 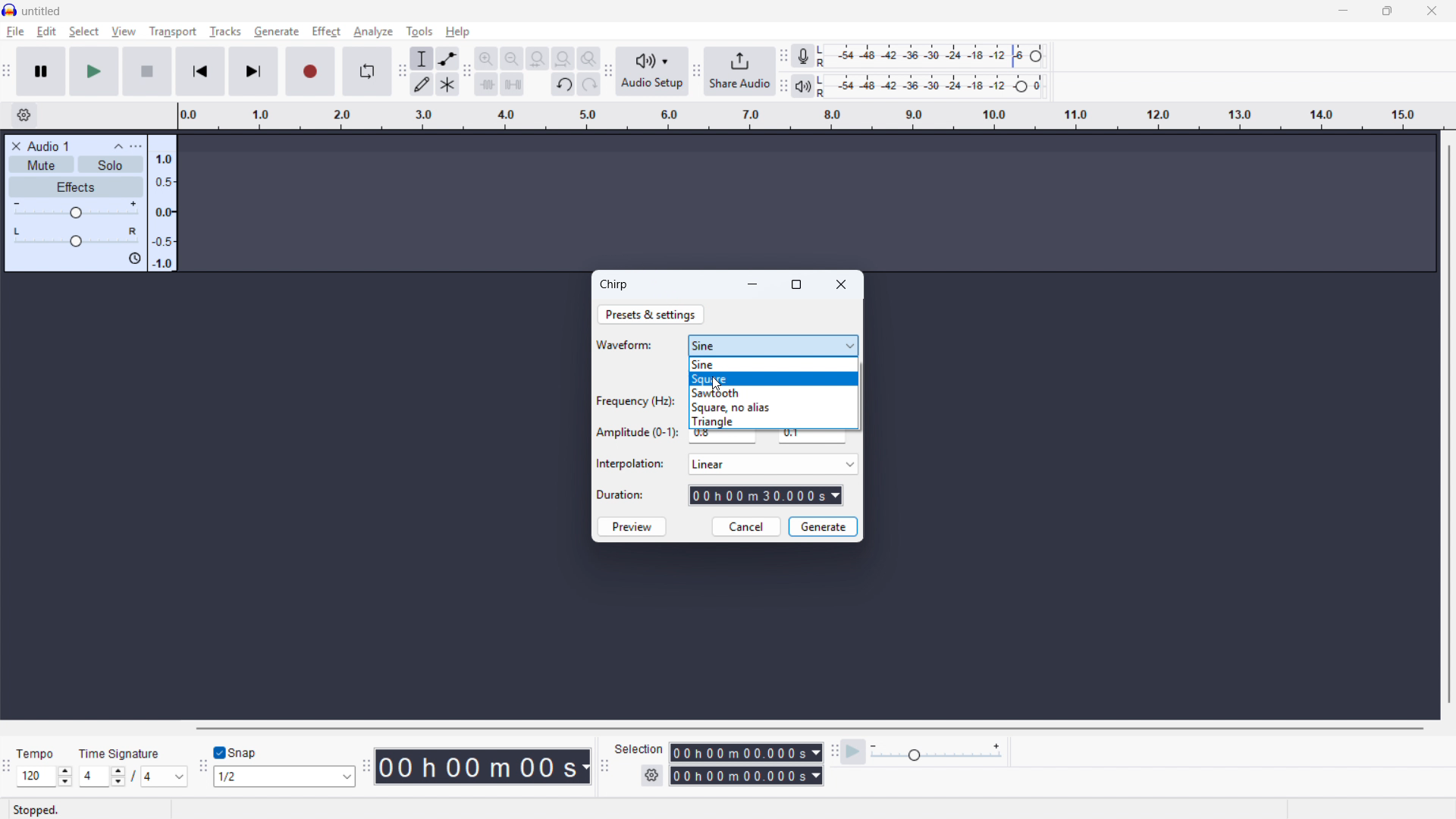 What do you see at coordinates (934, 86) in the screenshot?
I see `Playback level` at bounding box center [934, 86].